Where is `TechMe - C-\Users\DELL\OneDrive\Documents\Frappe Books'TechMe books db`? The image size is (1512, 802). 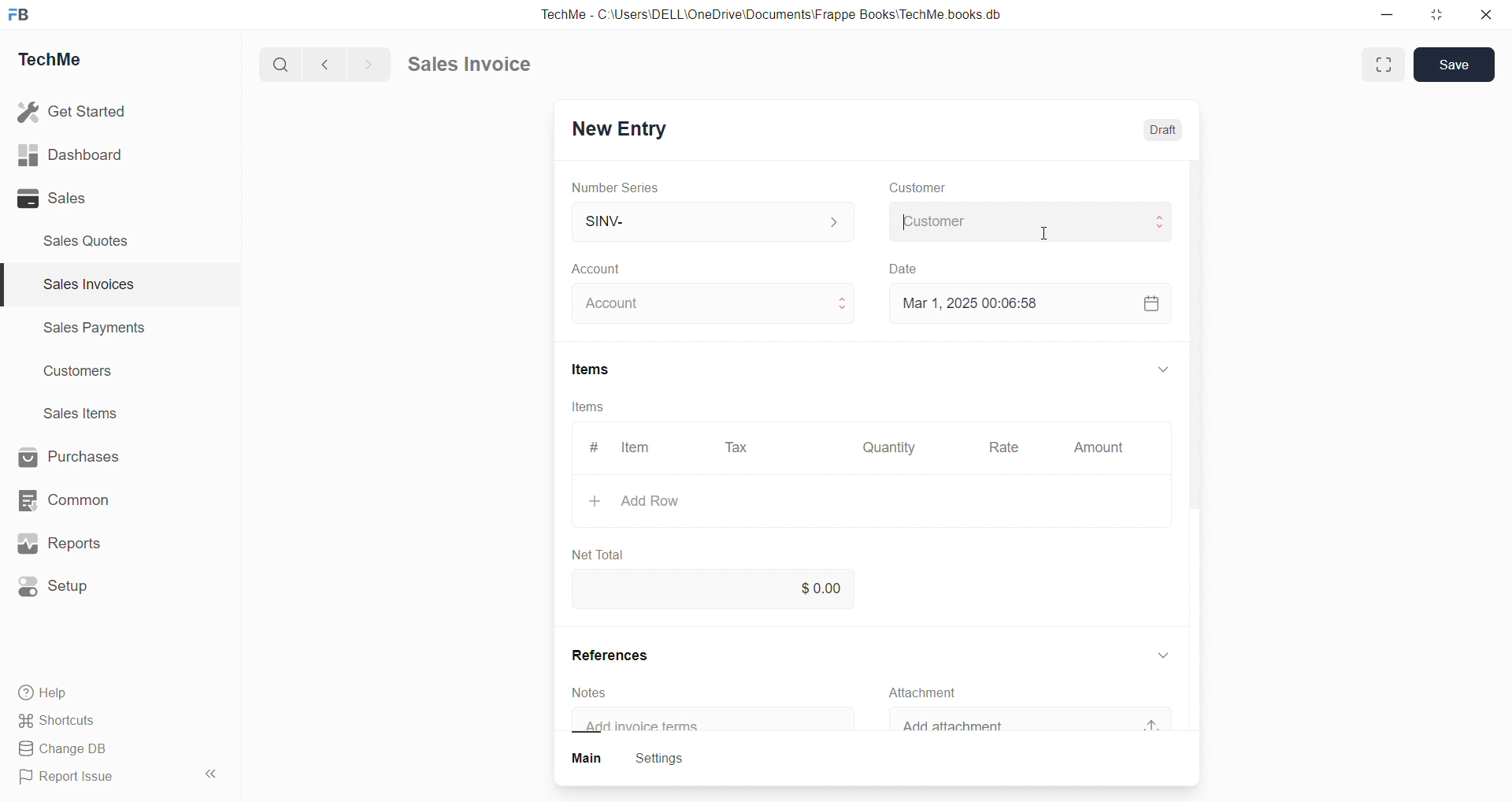
TechMe - C-\Users\DELL\OneDrive\Documents\Frappe Books'TechMe books db is located at coordinates (787, 12).